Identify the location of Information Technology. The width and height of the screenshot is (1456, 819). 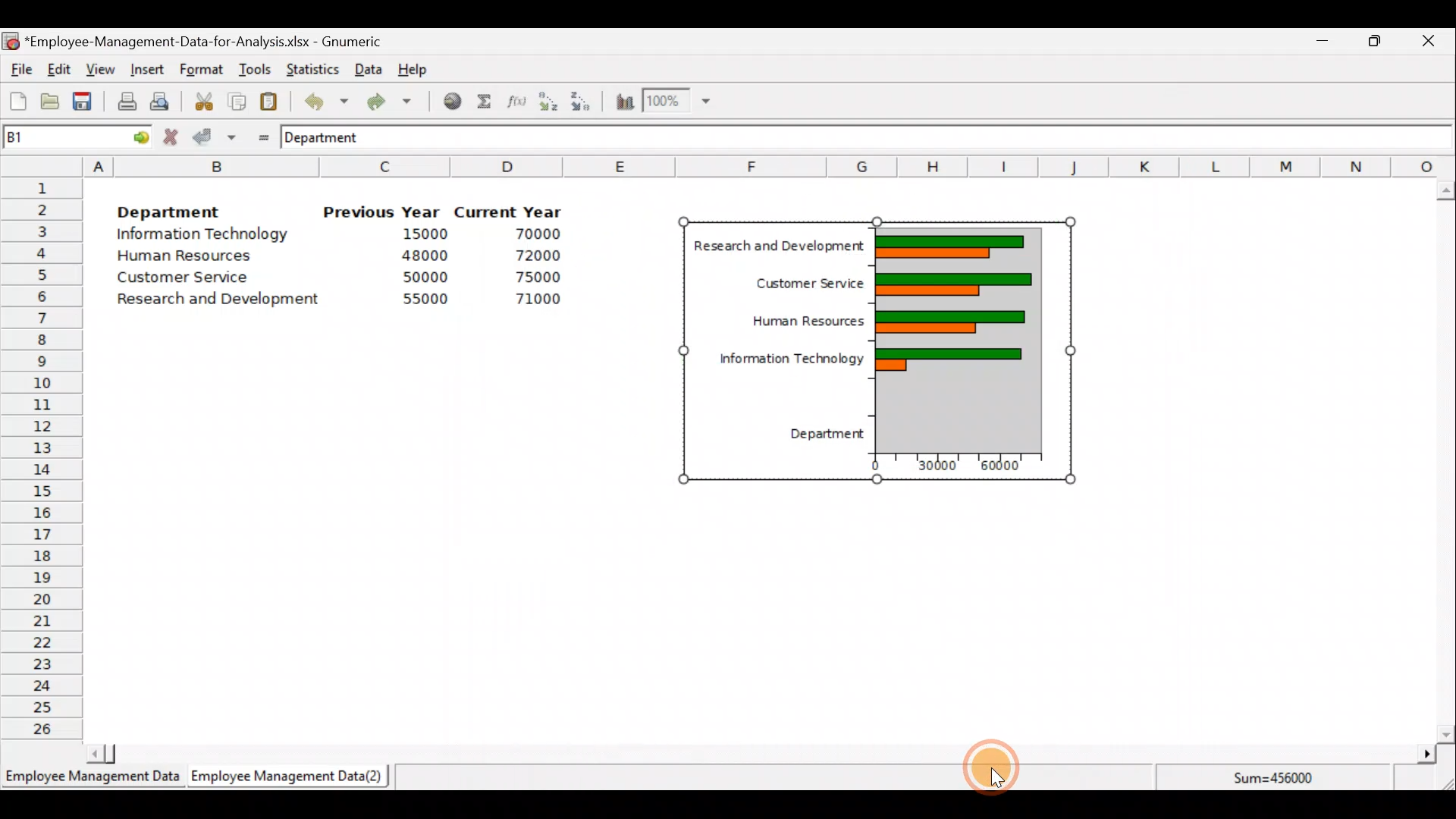
(791, 361).